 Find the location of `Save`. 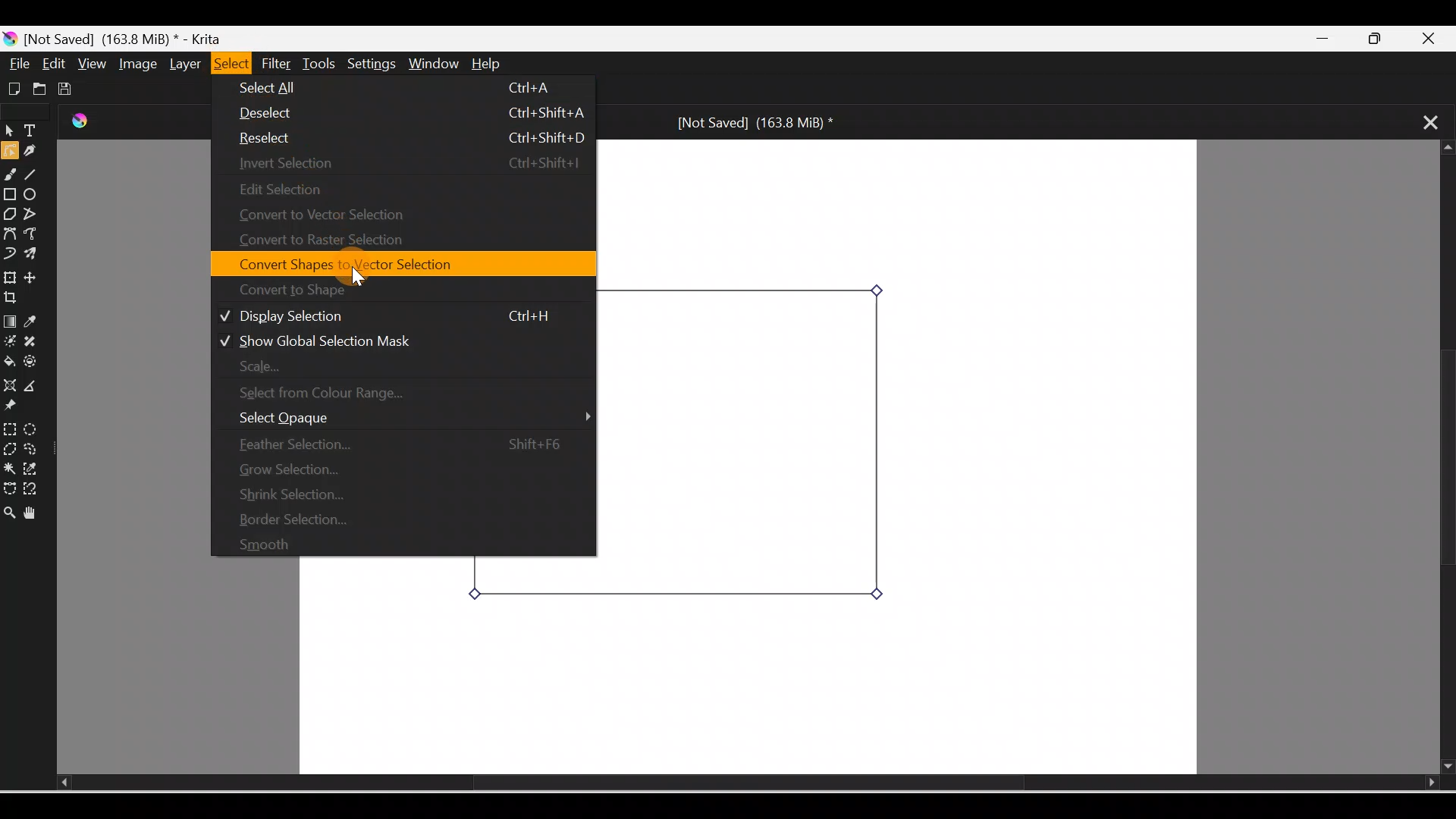

Save is located at coordinates (68, 86).